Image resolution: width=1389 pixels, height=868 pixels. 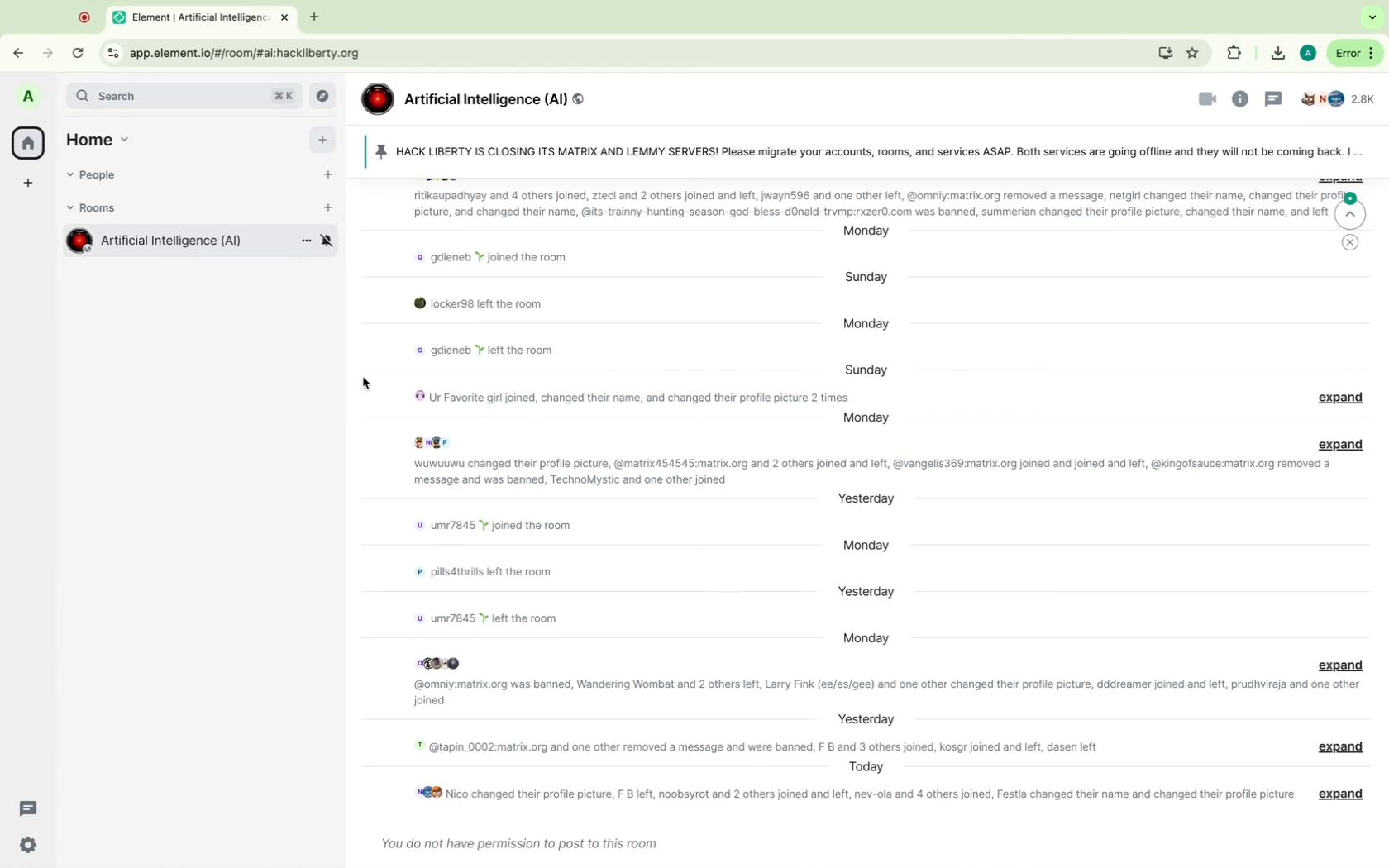 What do you see at coordinates (1275, 98) in the screenshot?
I see `threads` at bounding box center [1275, 98].